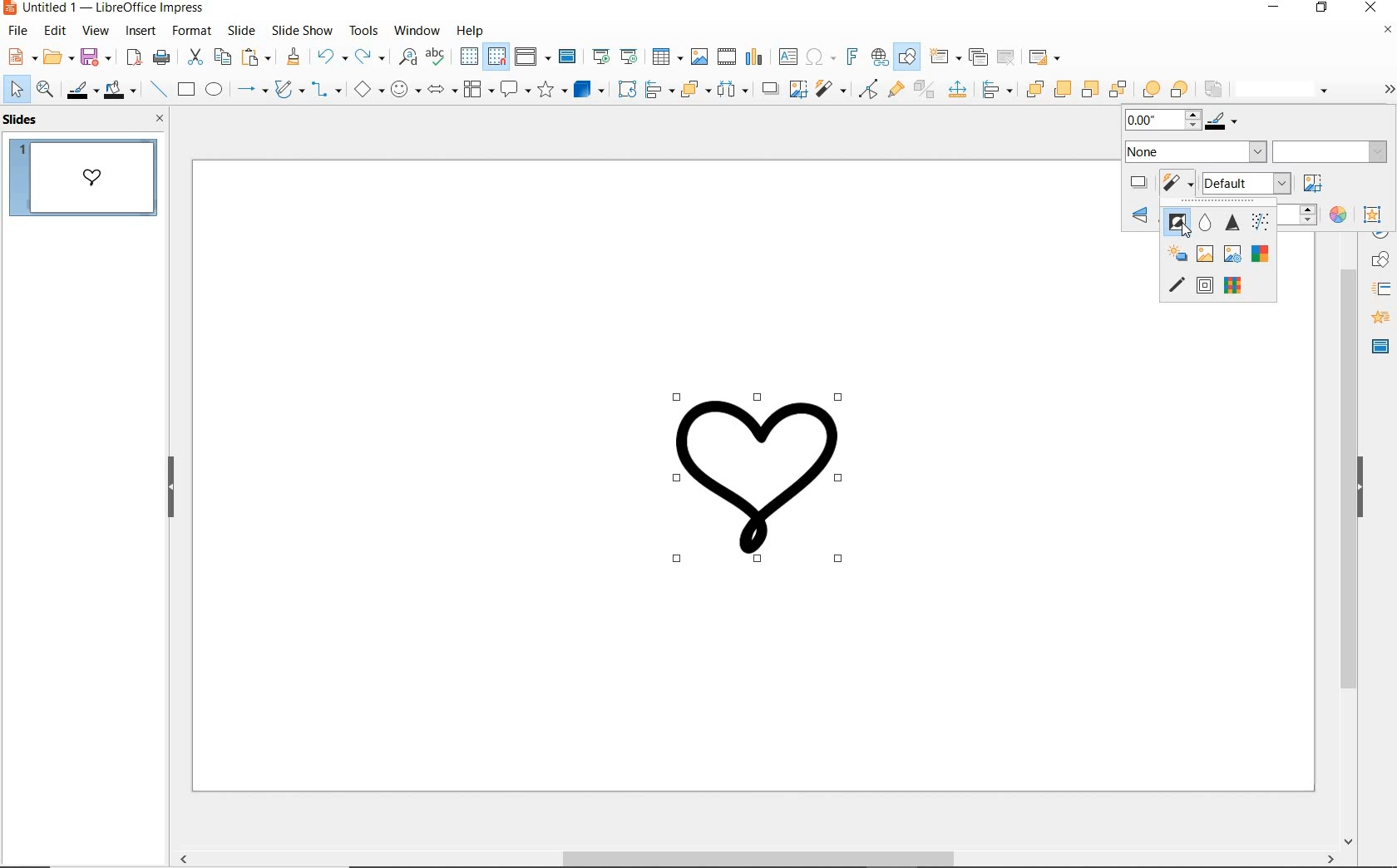  Describe the element at coordinates (1006, 57) in the screenshot. I see `delete slide` at that location.